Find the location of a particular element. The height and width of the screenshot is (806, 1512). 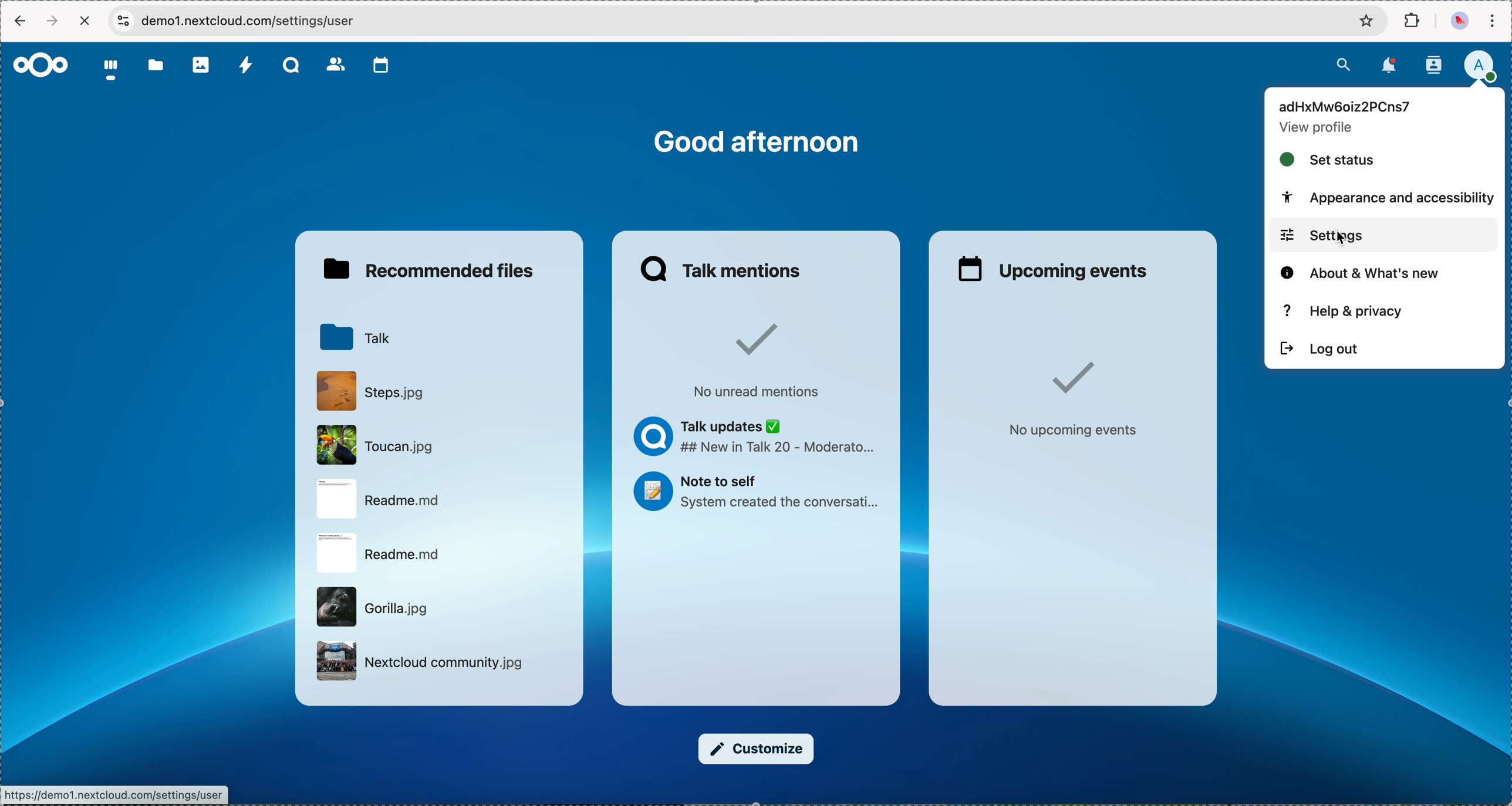

about is located at coordinates (1359, 273).